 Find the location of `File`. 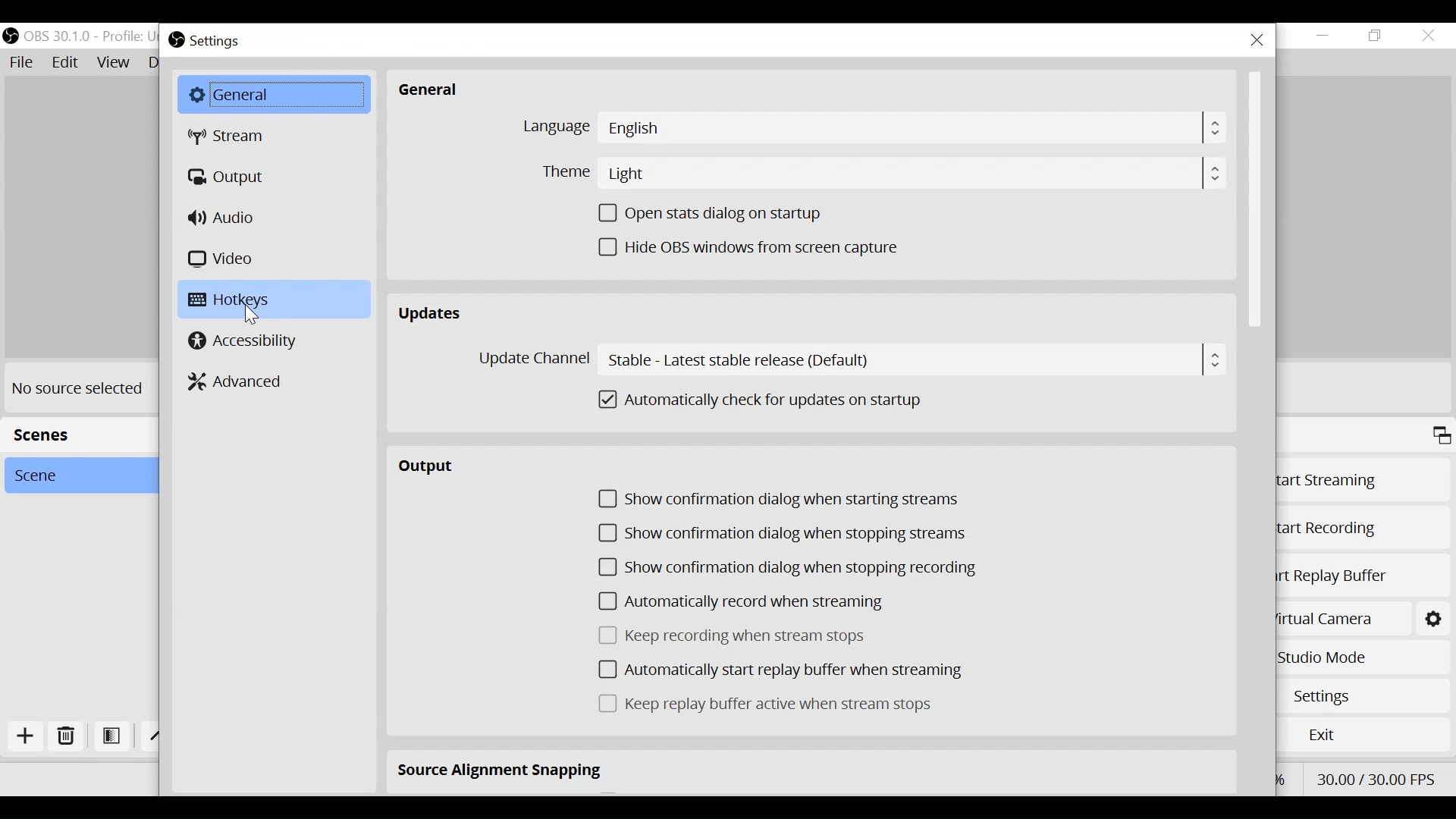

File is located at coordinates (24, 63).